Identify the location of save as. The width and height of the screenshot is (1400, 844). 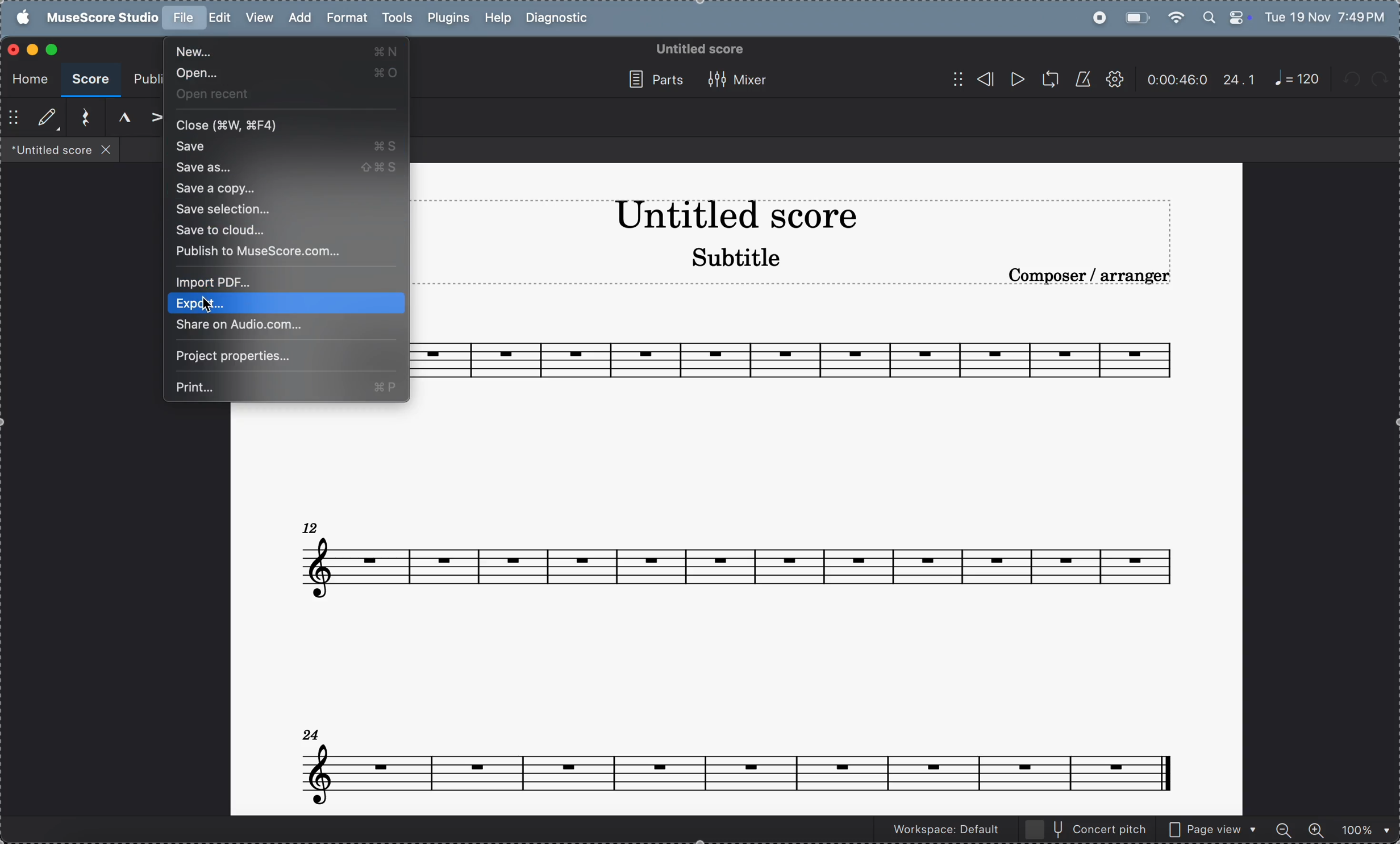
(286, 168).